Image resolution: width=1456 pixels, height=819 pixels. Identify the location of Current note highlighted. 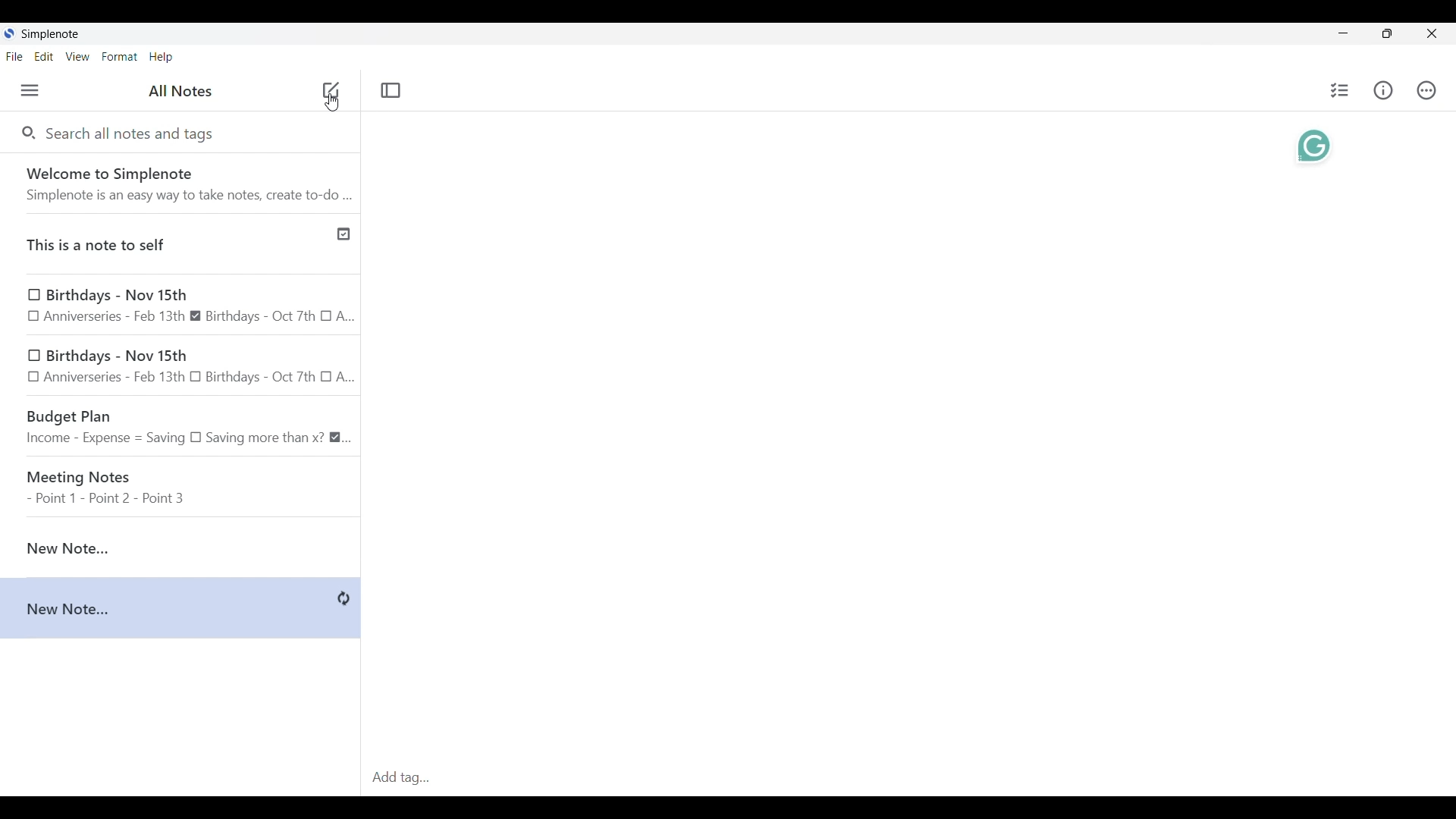
(172, 543).